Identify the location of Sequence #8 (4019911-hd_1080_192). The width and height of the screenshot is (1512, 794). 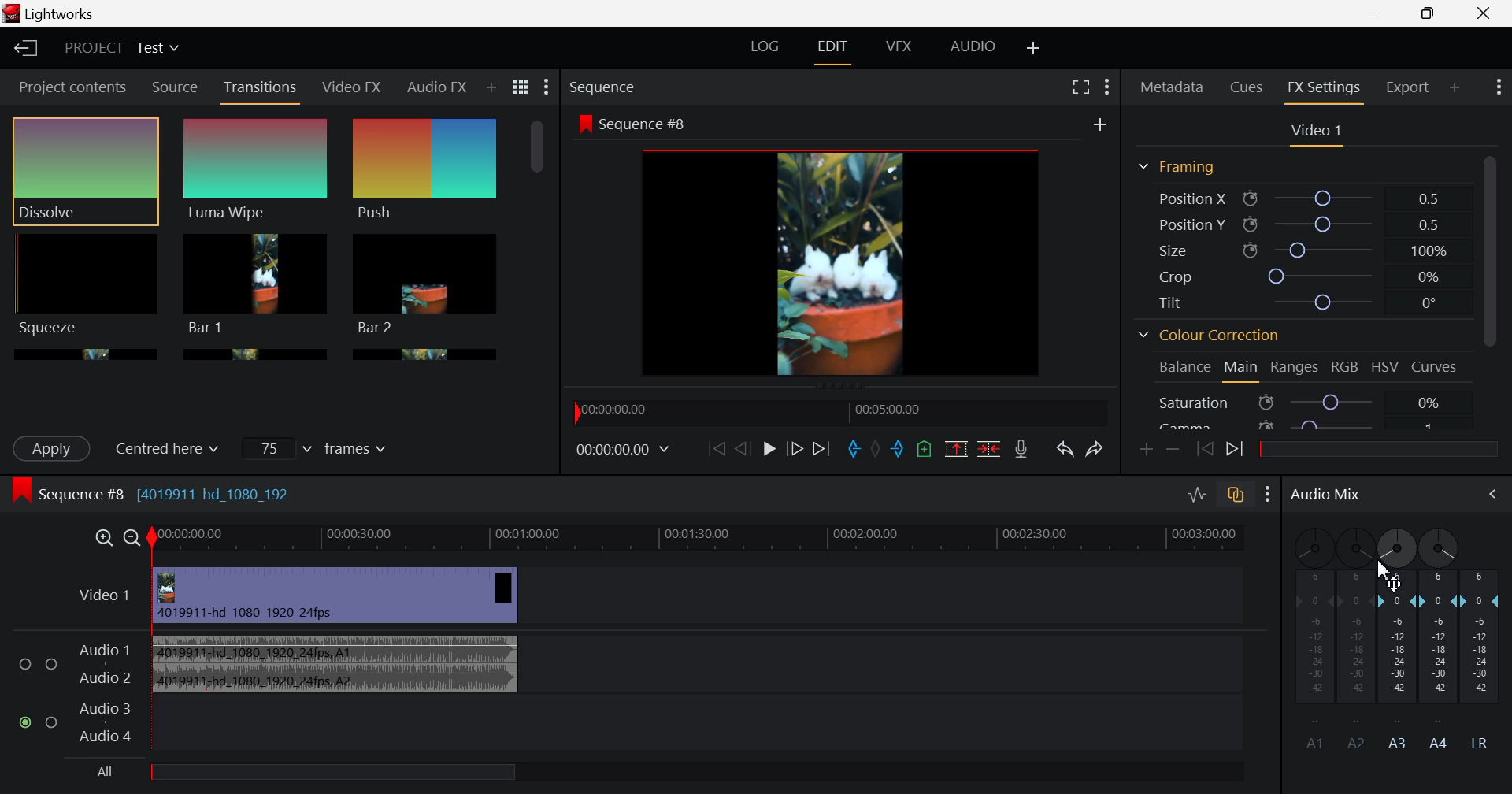
(156, 493).